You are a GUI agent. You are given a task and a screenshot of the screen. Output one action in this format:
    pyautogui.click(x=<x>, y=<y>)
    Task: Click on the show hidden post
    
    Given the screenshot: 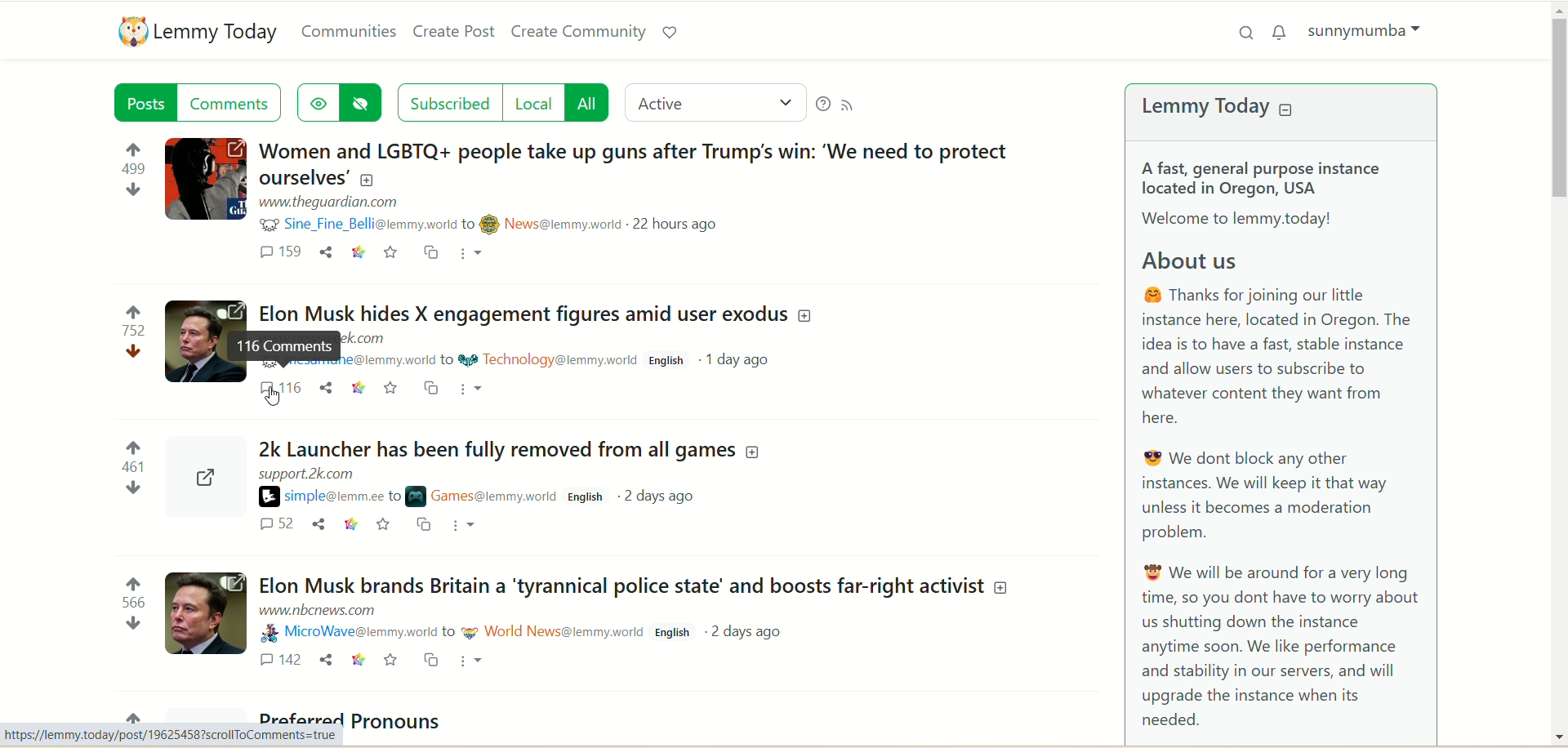 What is the action you would take?
    pyautogui.click(x=317, y=103)
    